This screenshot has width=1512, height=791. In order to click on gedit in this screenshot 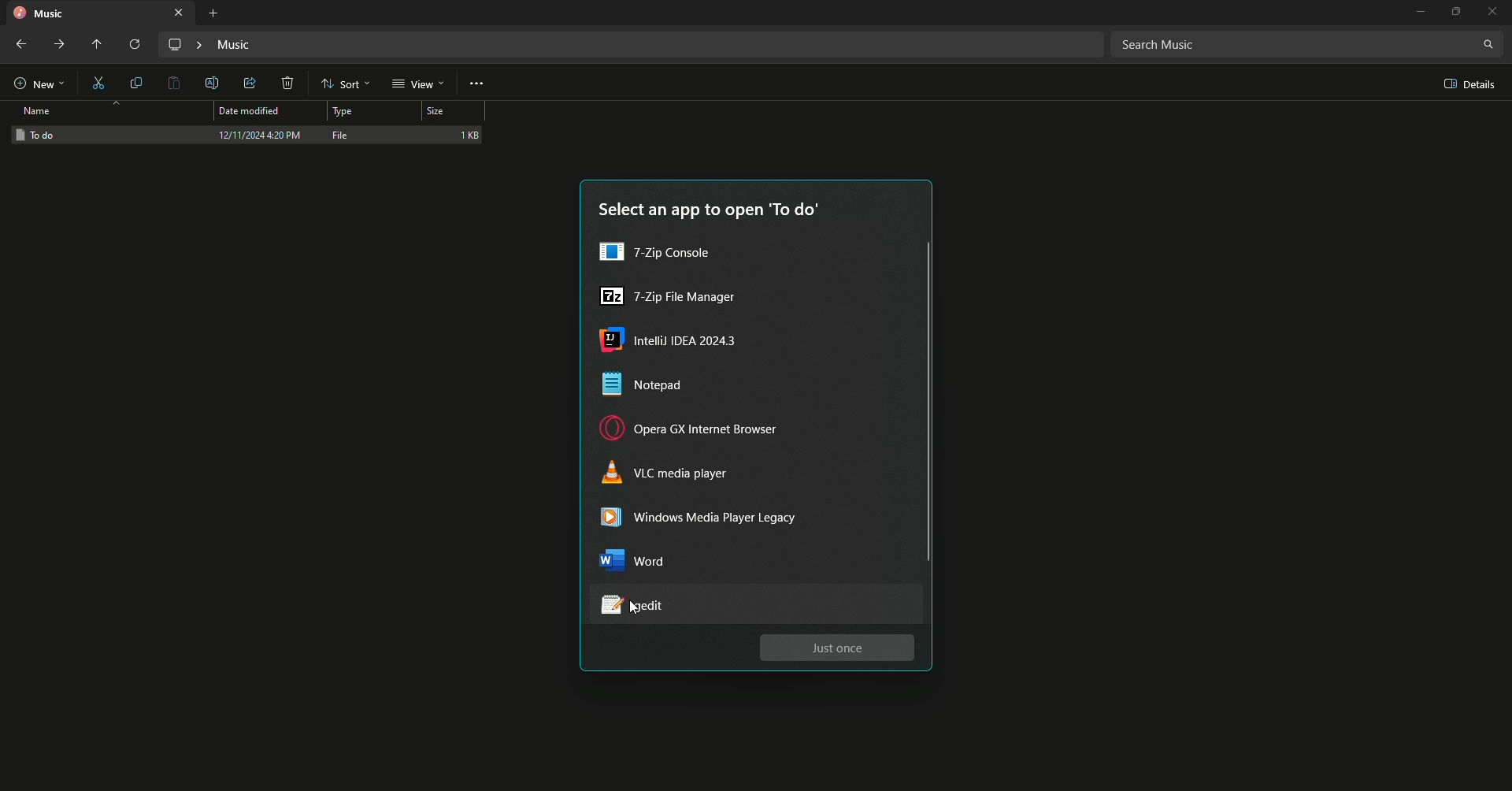, I will do `click(652, 605)`.